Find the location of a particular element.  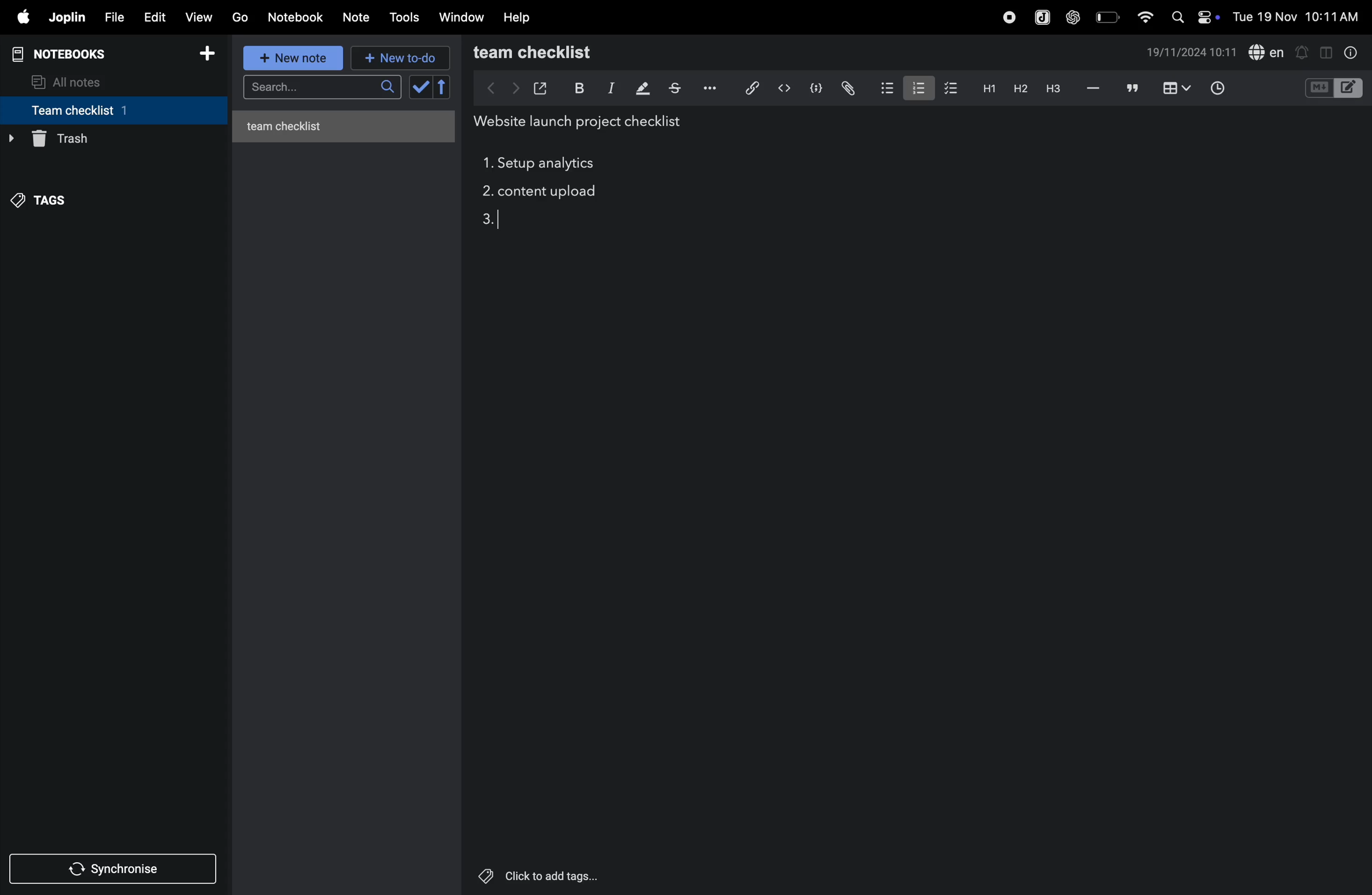

 is located at coordinates (553, 876).